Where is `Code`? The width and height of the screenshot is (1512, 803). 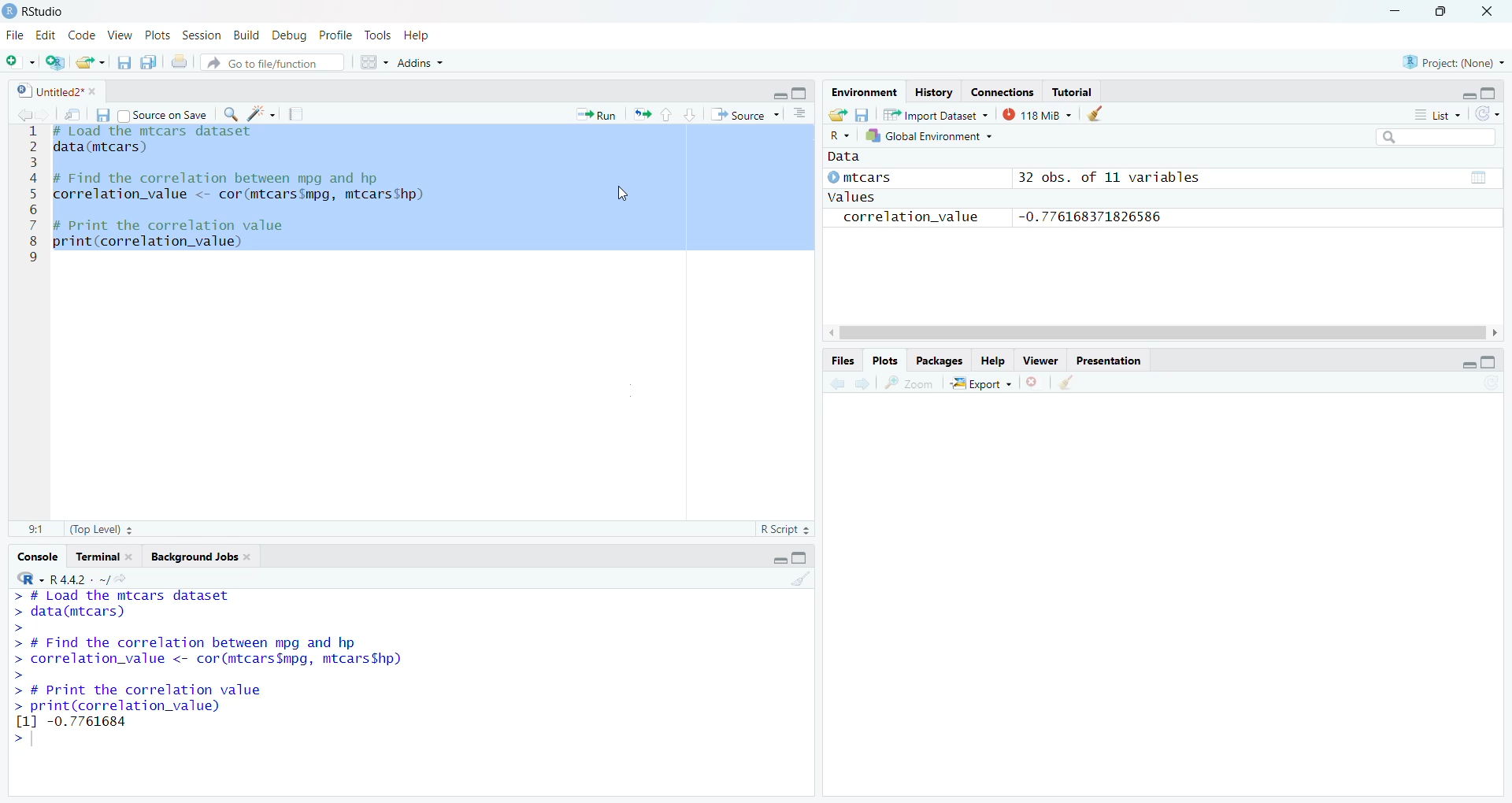
Code is located at coordinates (83, 36).